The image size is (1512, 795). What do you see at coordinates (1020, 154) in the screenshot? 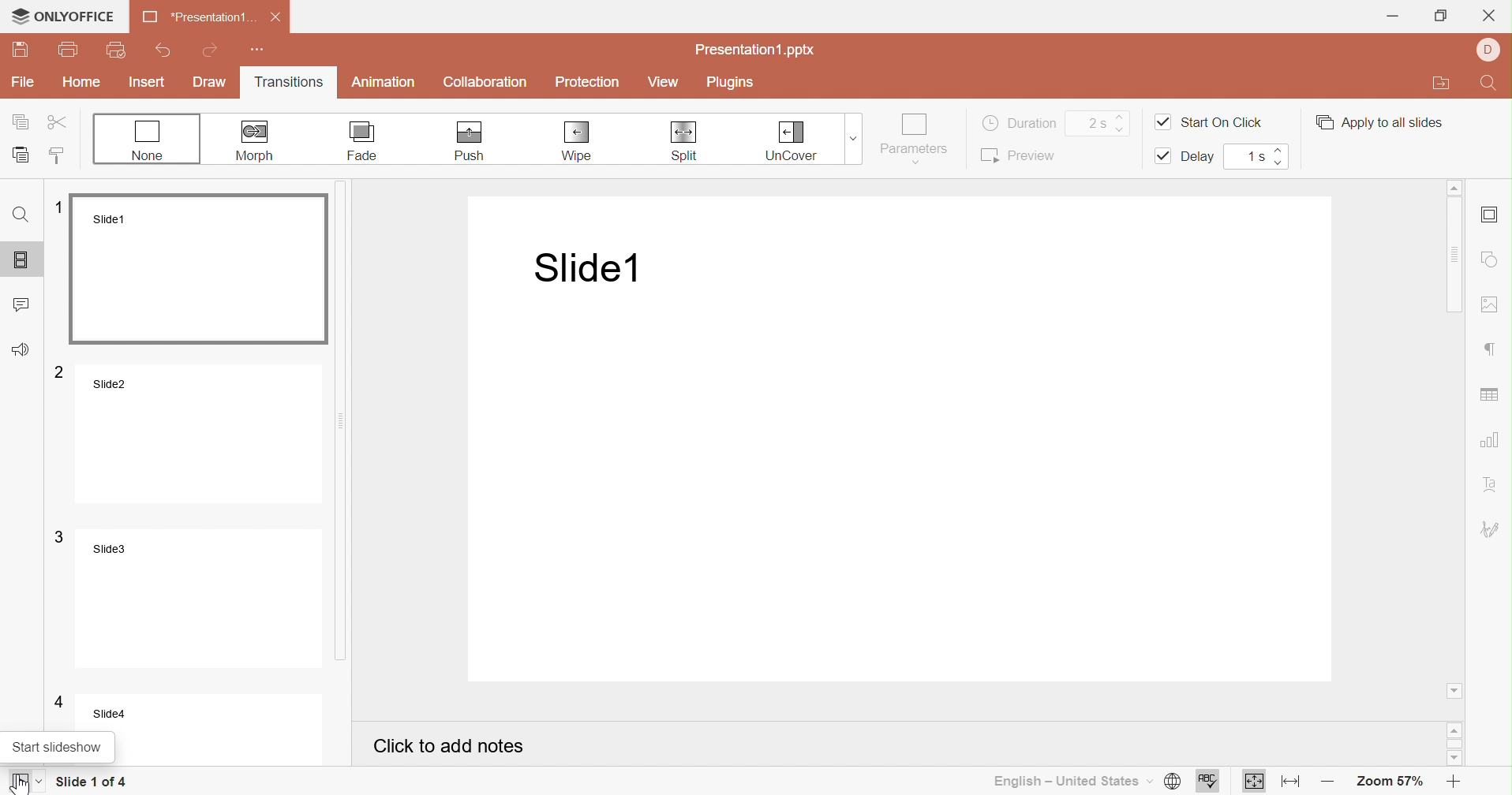
I see `Preview` at bounding box center [1020, 154].